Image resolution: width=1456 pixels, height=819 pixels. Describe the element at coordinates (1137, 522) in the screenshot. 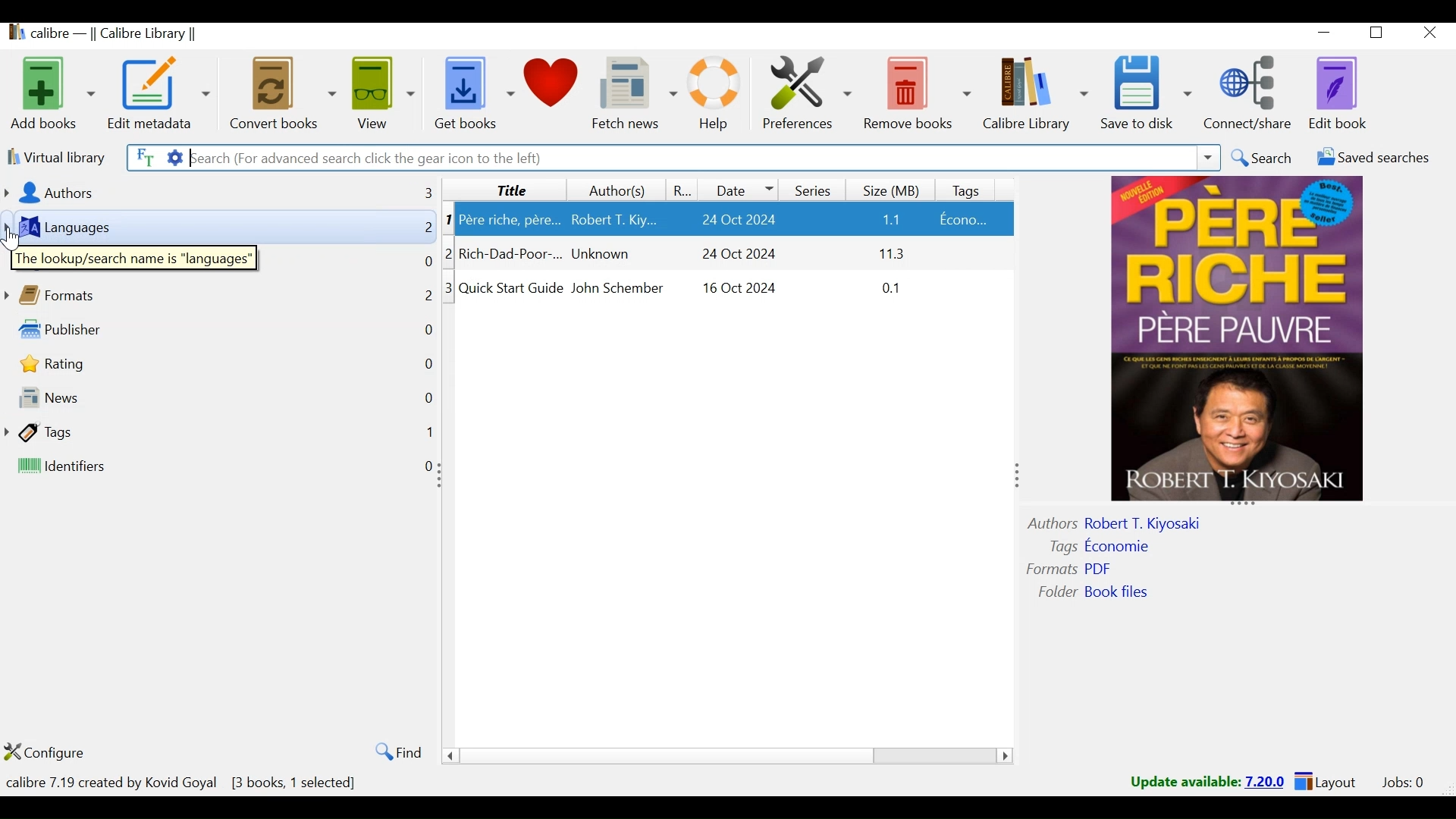

I see `Authors Robert T. Kiyosaki` at that location.